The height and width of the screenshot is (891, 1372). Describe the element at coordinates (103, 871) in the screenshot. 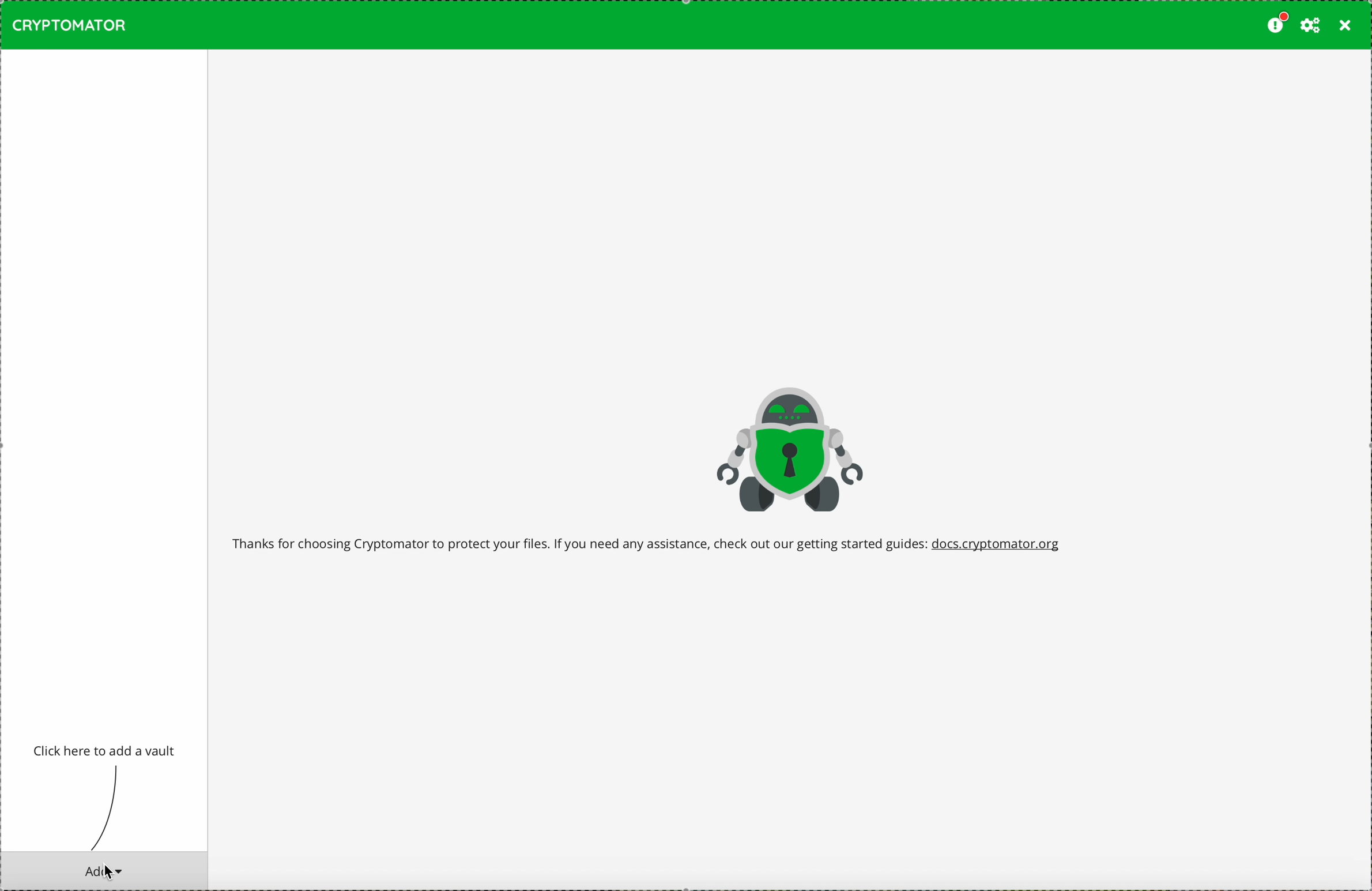

I see `cursor on add button` at that location.